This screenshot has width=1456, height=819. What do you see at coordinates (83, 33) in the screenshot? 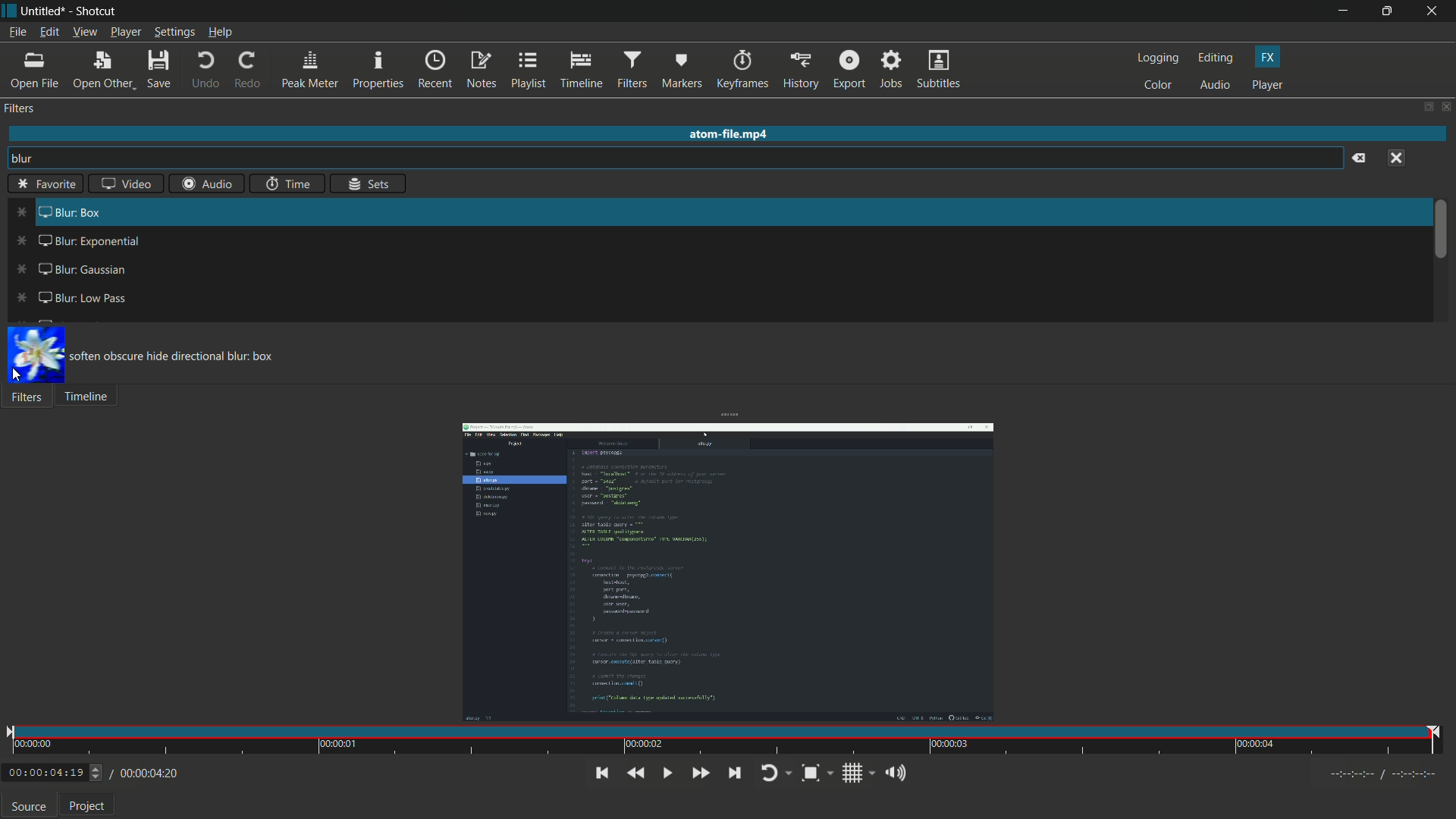
I see `view menu` at bounding box center [83, 33].